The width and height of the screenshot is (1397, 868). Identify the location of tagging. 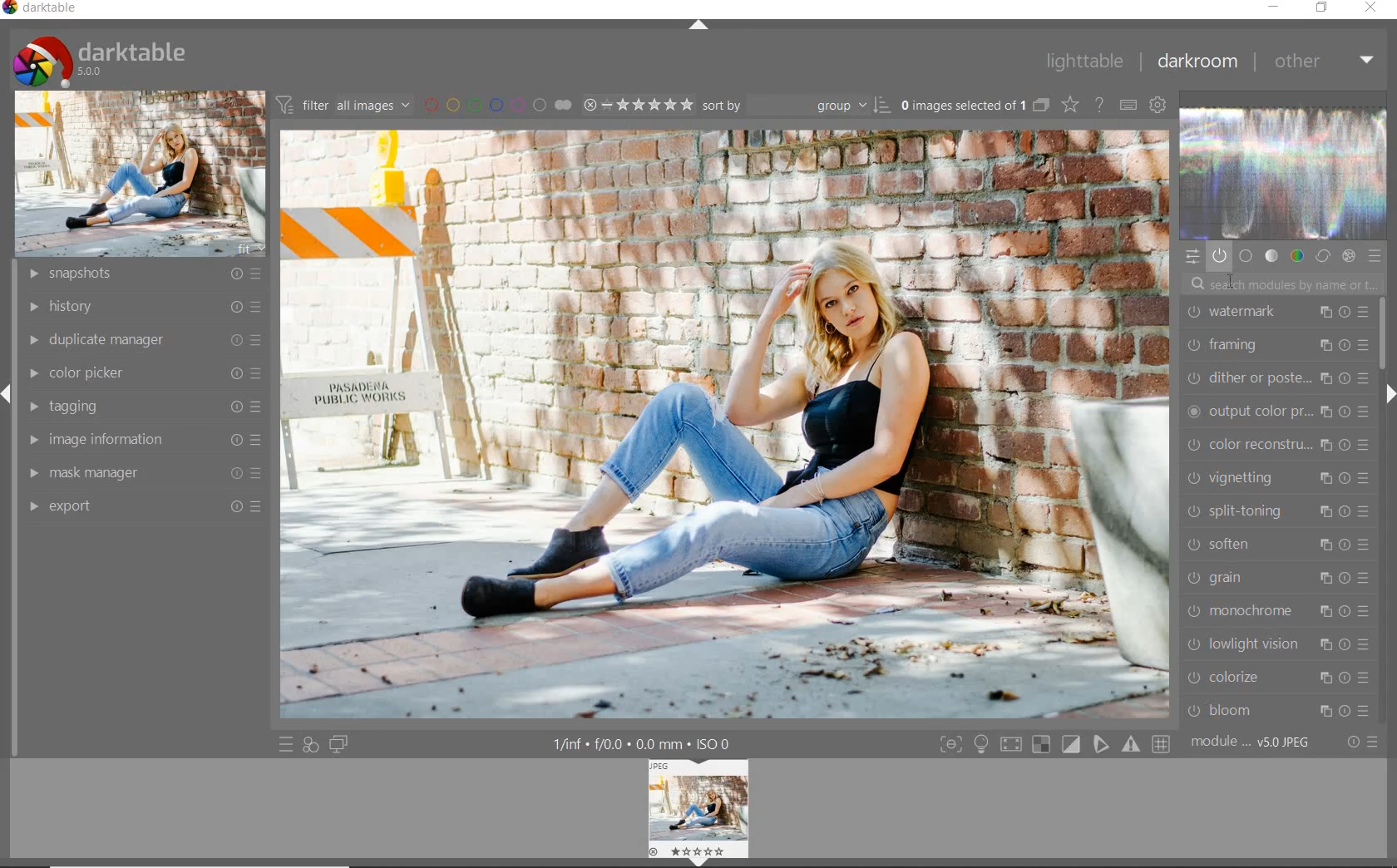
(140, 407).